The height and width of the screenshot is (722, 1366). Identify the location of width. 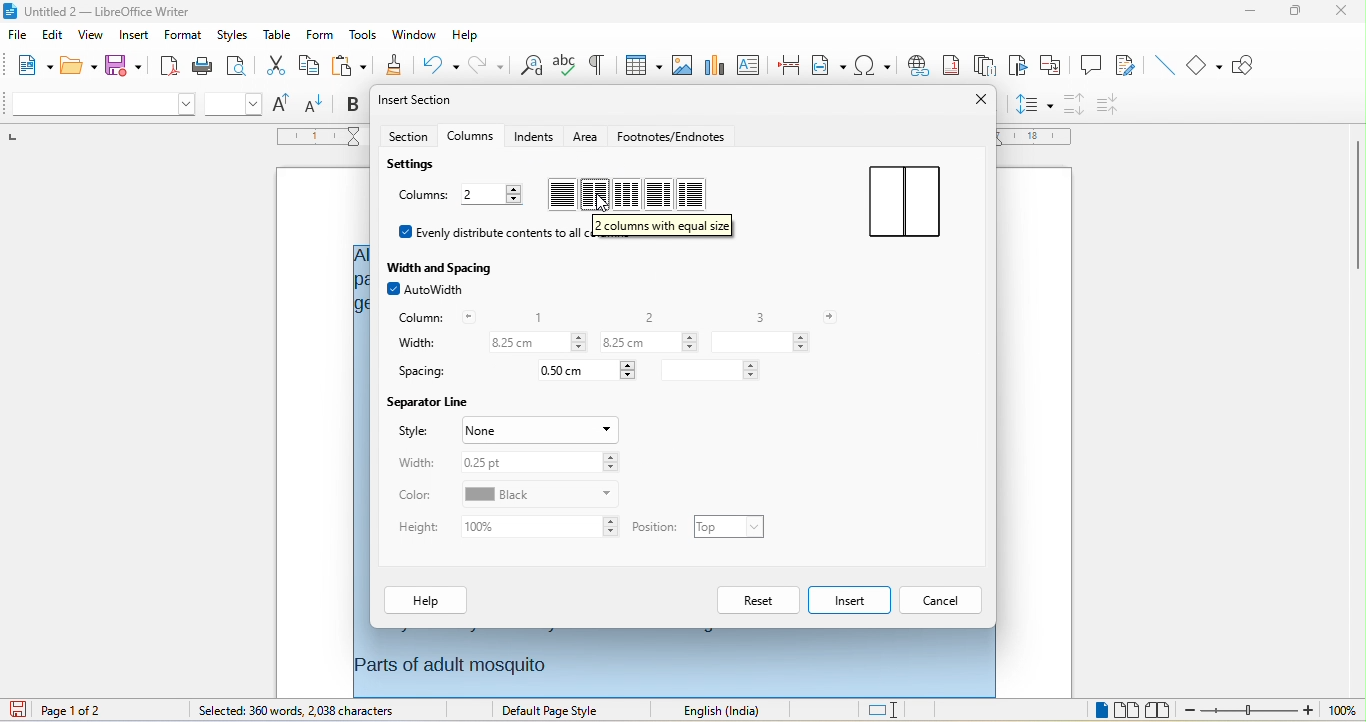
(416, 463).